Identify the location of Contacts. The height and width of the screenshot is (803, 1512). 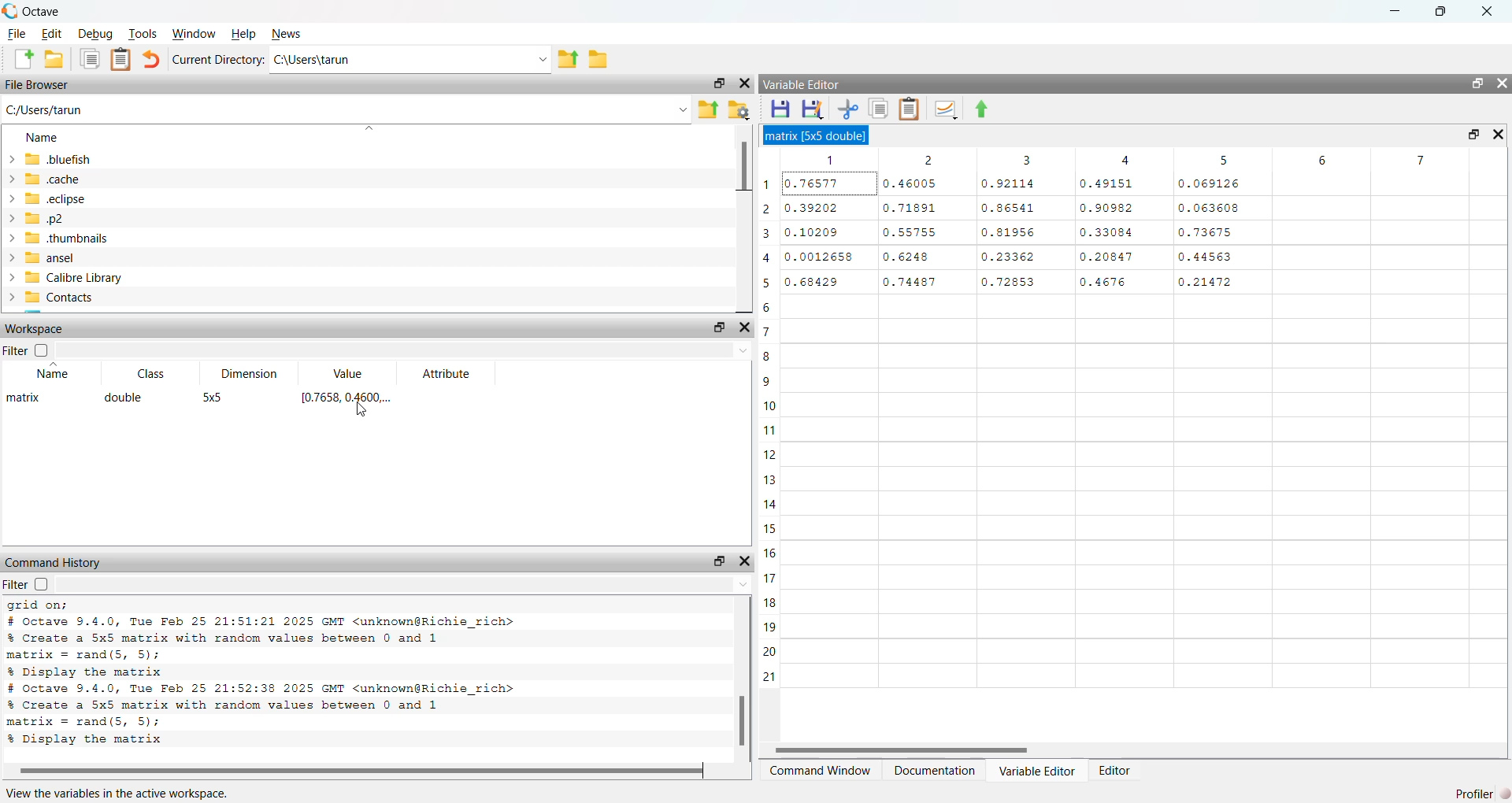
(74, 298).